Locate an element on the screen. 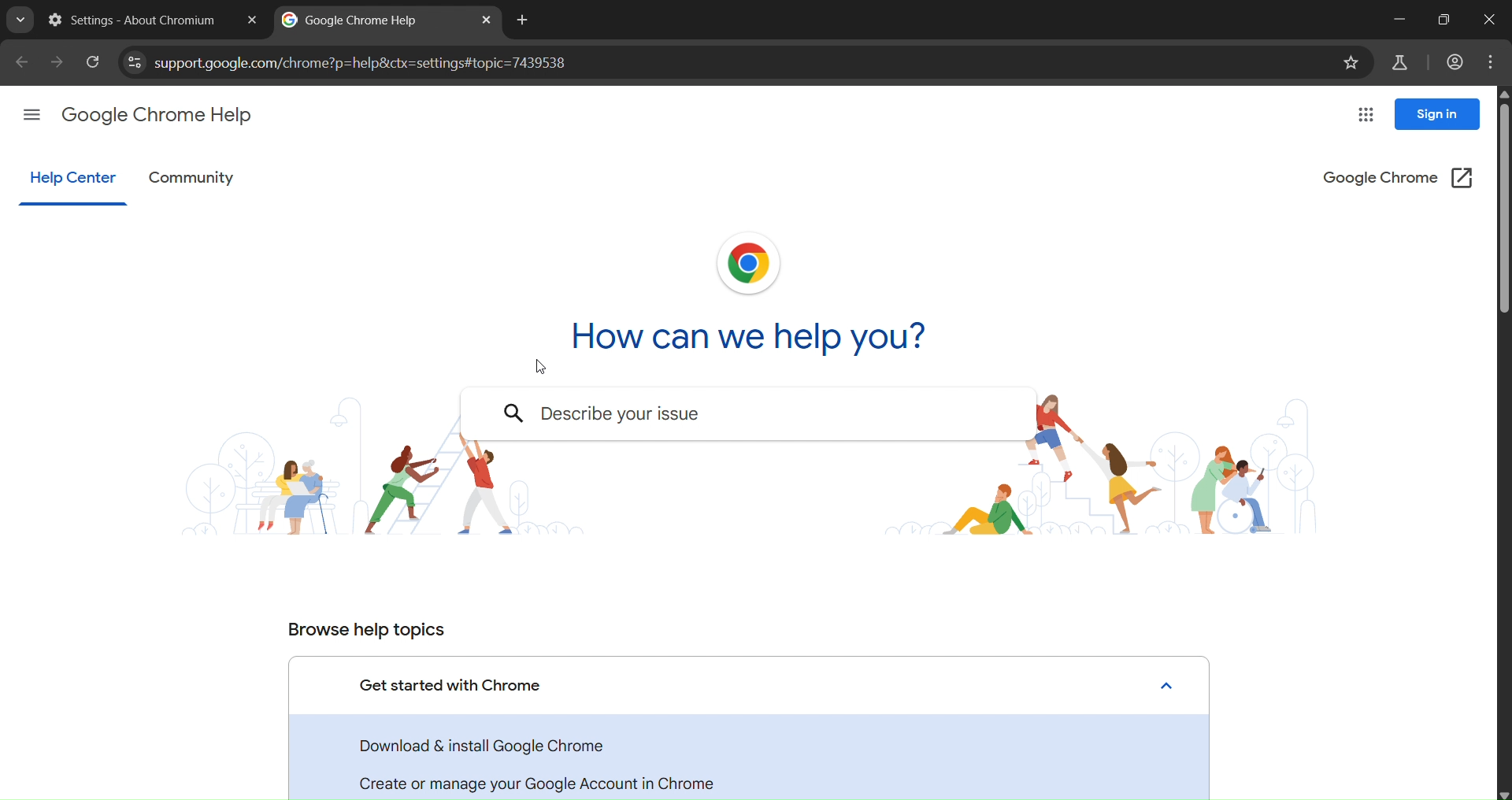 The width and height of the screenshot is (1512, 800). community is located at coordinates (195, 178).